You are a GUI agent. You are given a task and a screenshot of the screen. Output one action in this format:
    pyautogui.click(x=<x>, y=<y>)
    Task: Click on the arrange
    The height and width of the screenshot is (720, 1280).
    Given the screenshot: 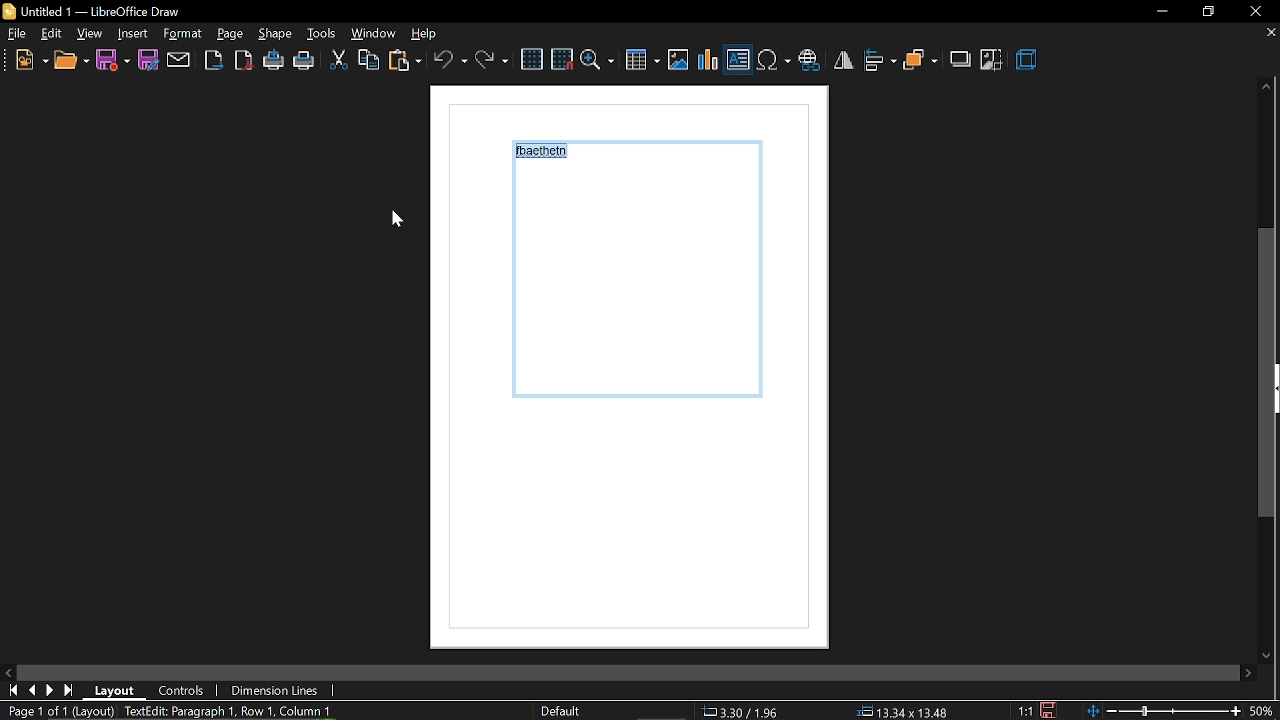 What is the action you would take?
    pyautogui.click(x=921, y=62)
    